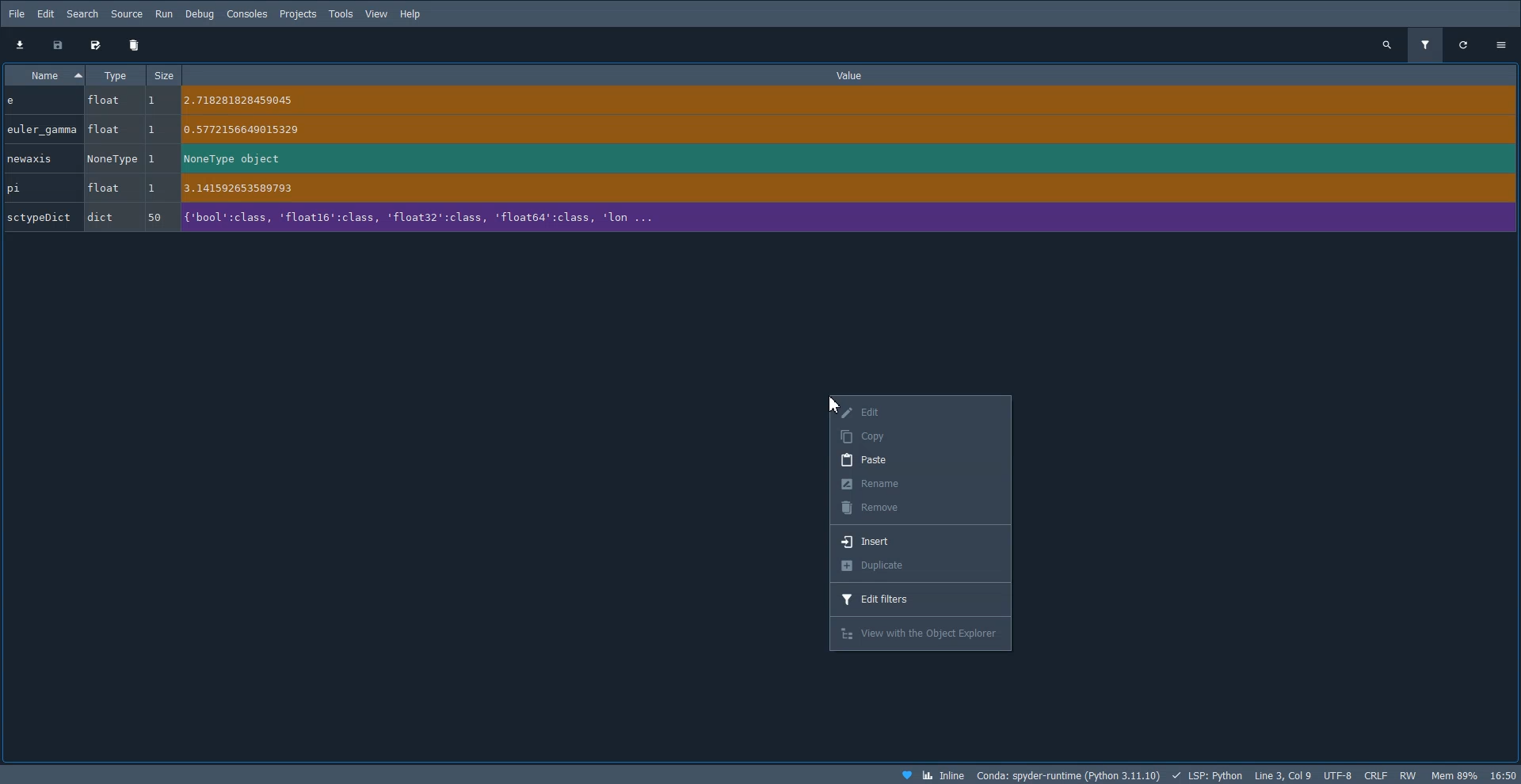 This screenshot has width=1521, height=784. What do you see at coordinates (247, 13) in the screenshot?
I see `Console` at bounding box center [247, 13].